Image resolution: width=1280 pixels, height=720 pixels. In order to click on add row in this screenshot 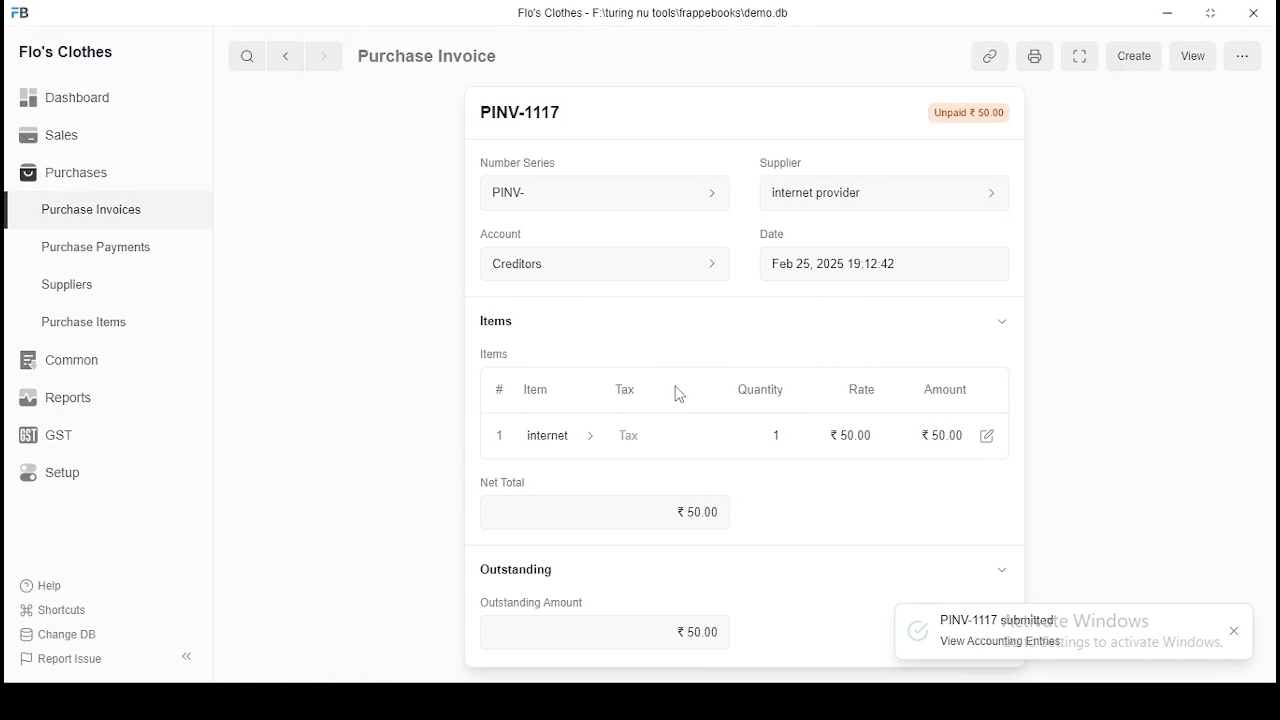, I will do `click(559, 435)`.